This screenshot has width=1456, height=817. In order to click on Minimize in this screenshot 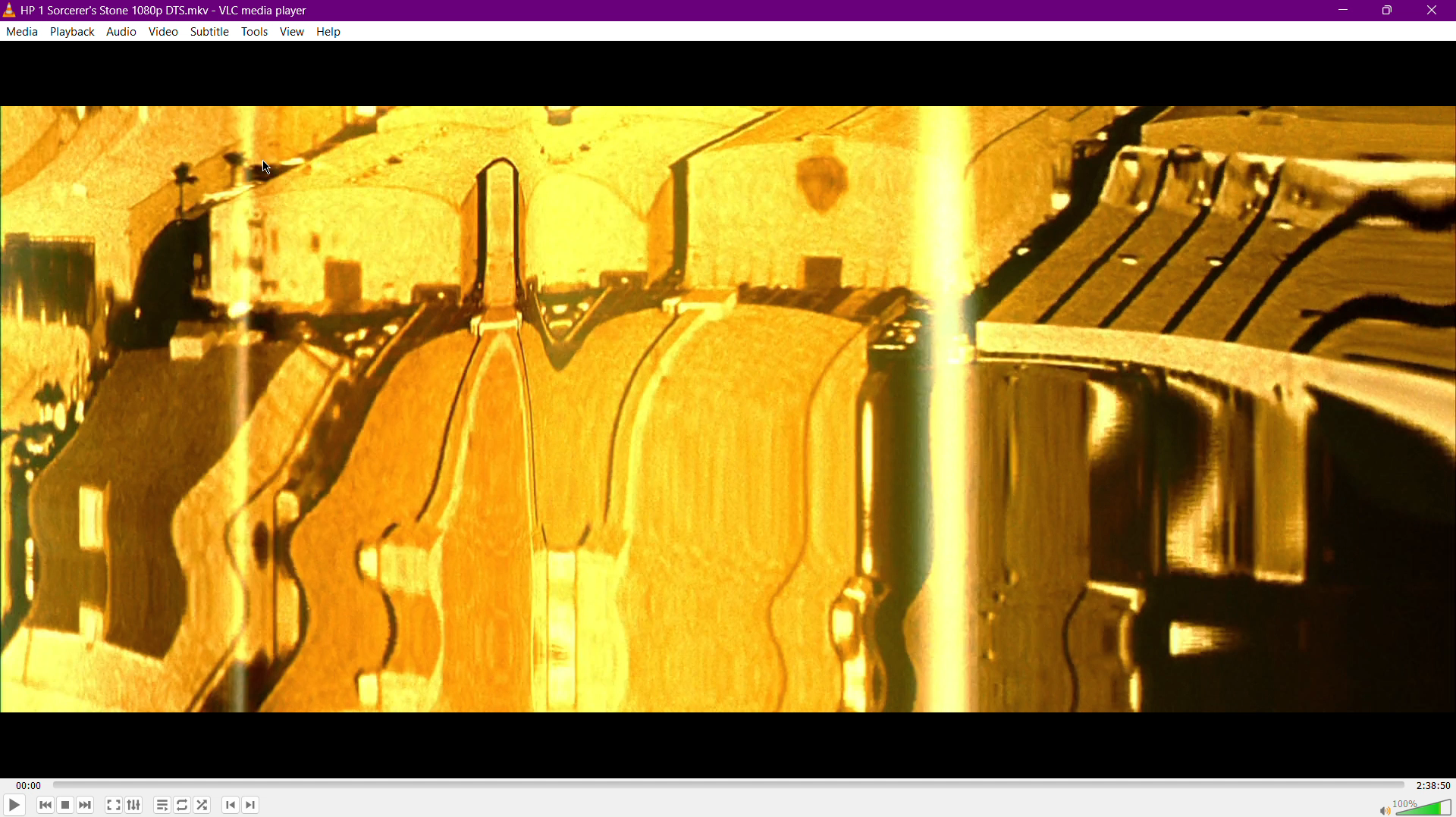, I will do `click(1343, 11)`.